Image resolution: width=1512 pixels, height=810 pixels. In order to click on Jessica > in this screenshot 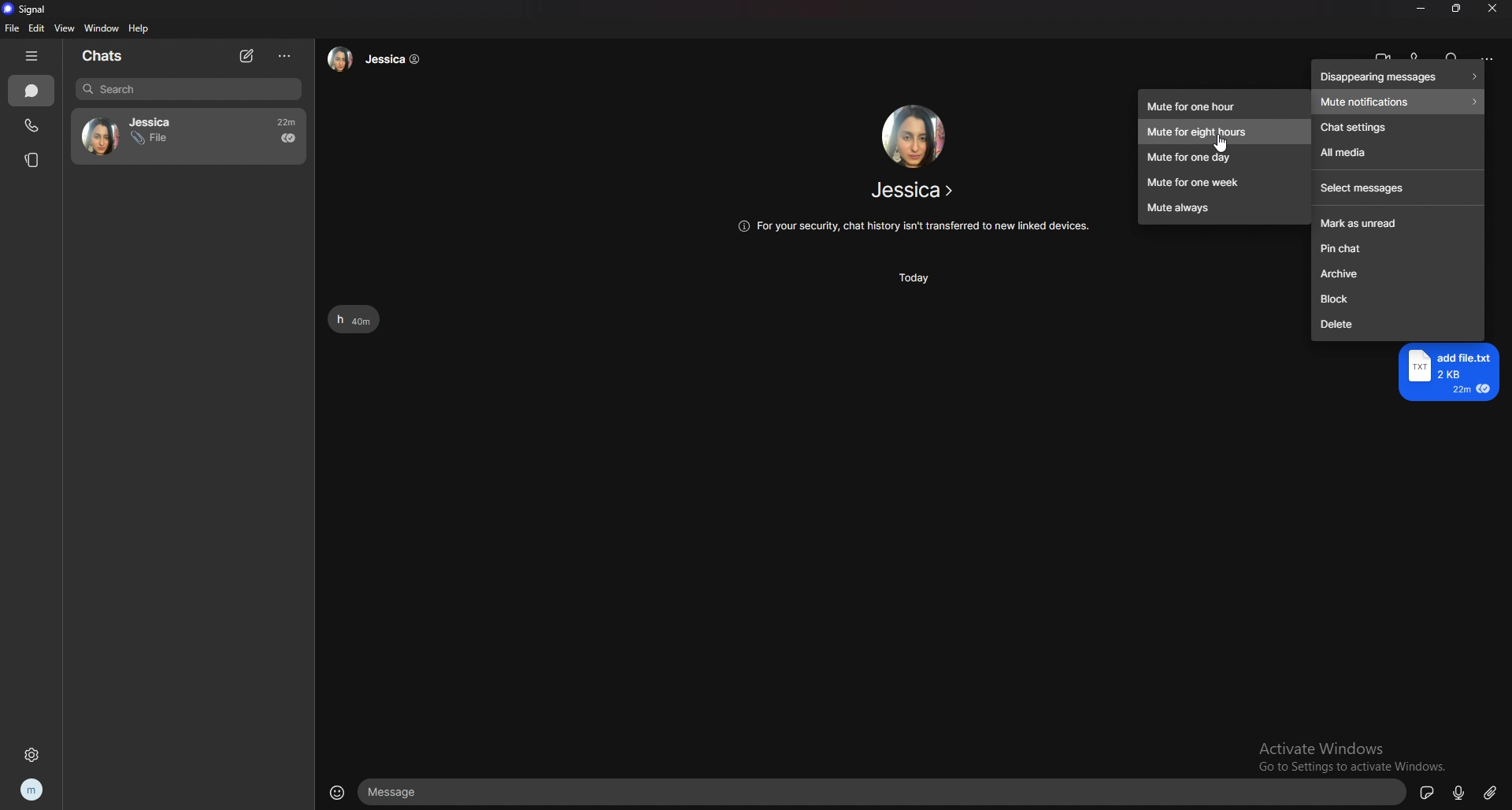, I will do `click(919, 192)`.